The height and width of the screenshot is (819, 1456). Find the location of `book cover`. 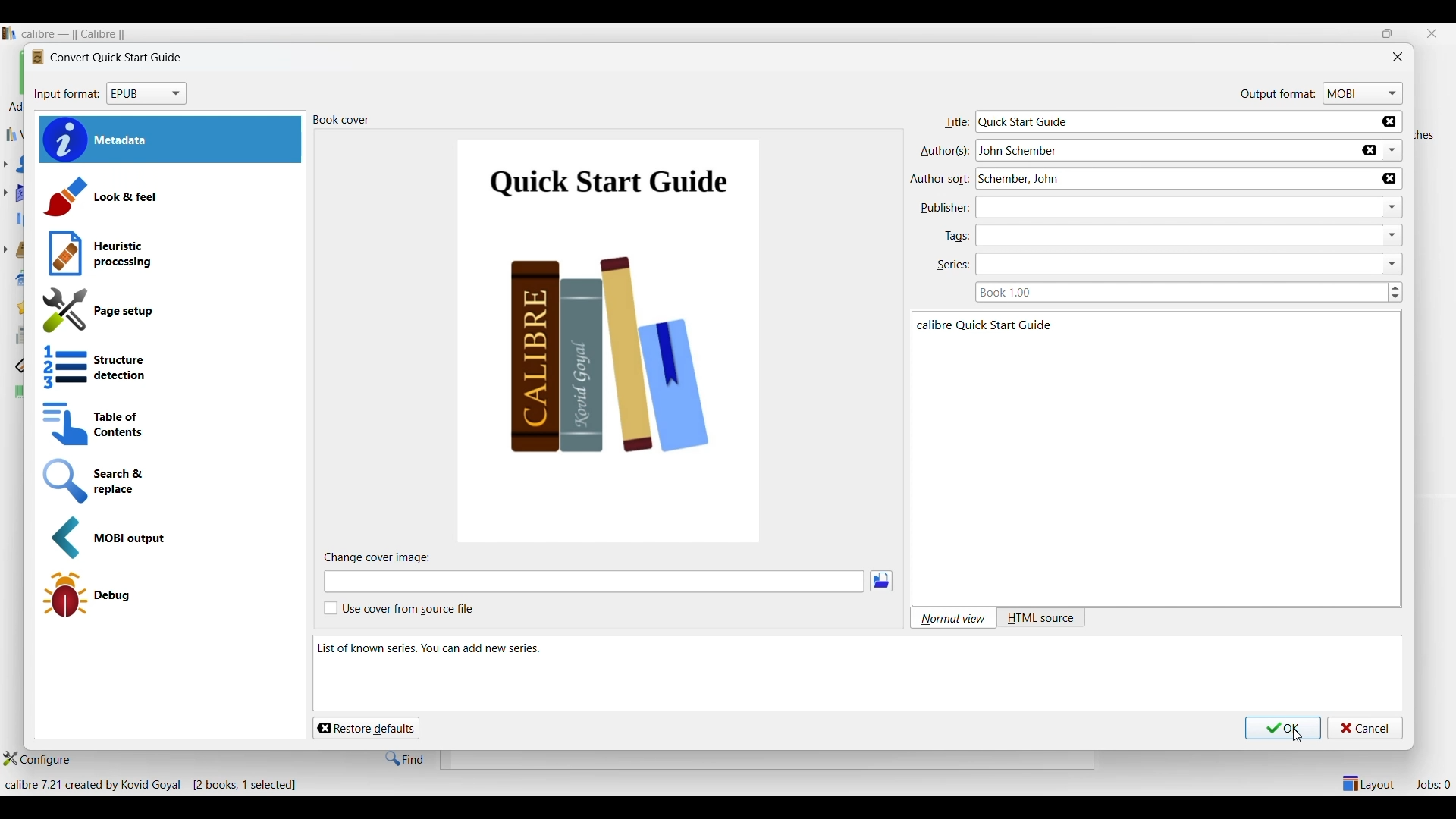

book cover is located at coordinates (344, 121).